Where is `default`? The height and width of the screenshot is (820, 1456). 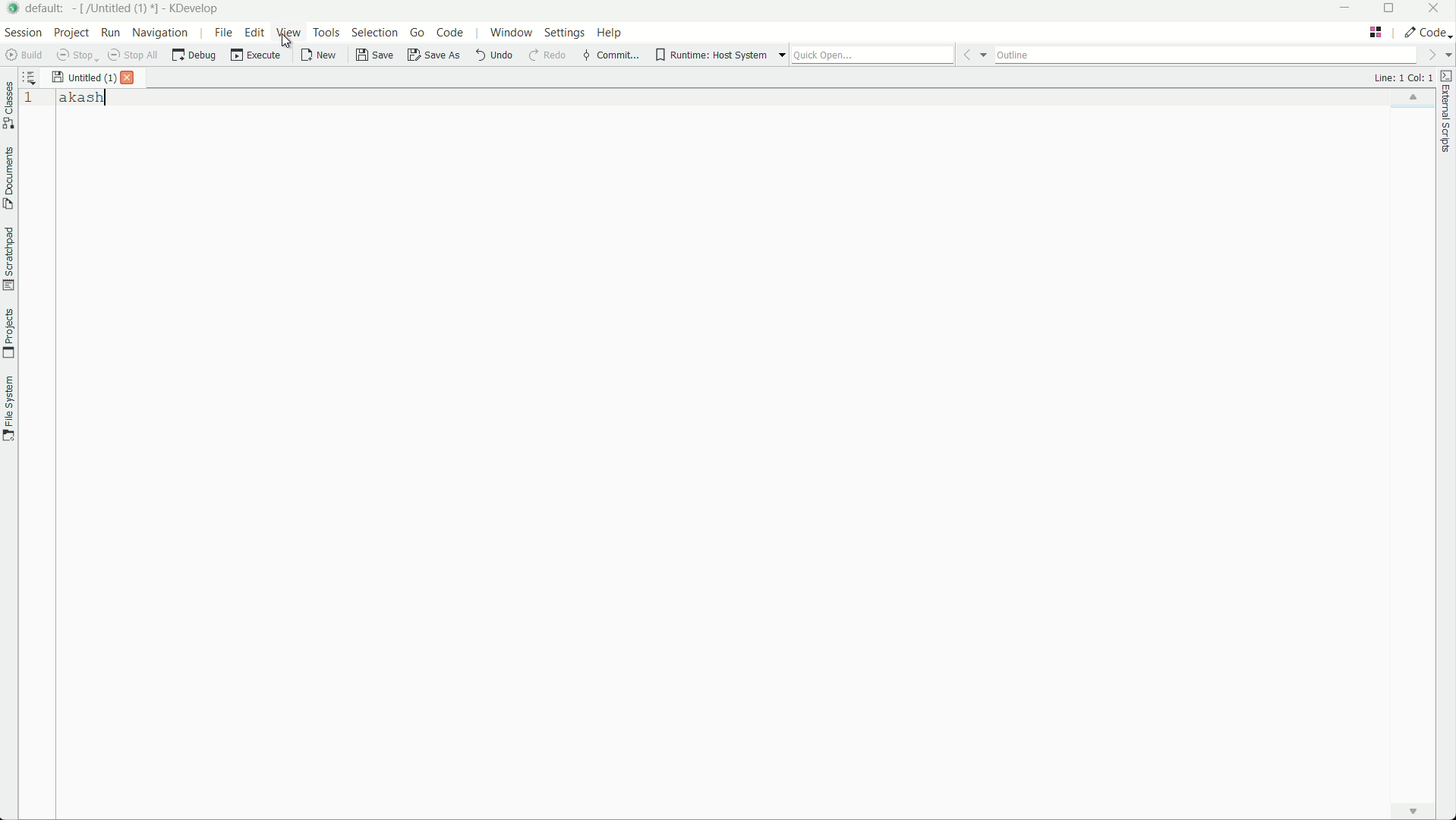 default is located at coordinates (46, 9).